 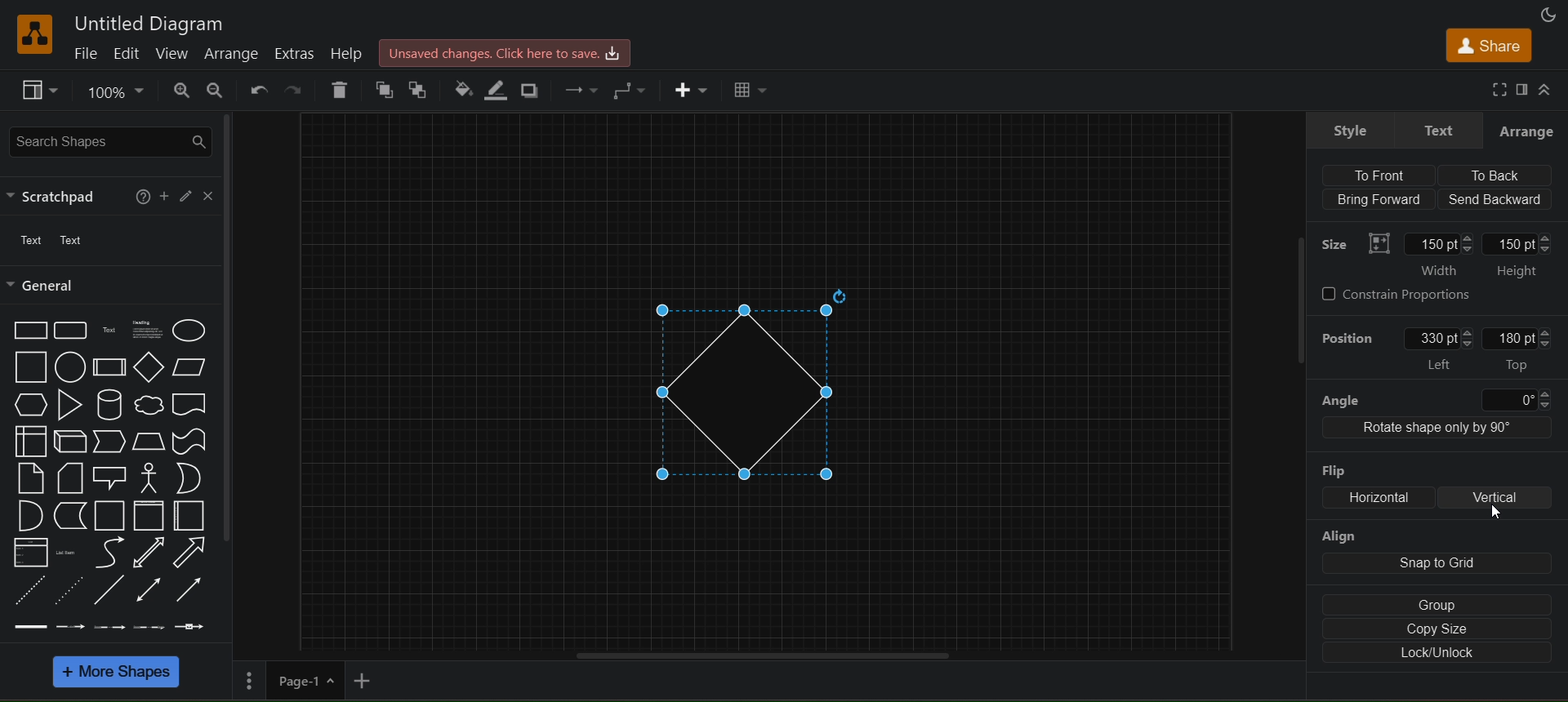 I want to click on snap to grid, so click(x=1433, y=562).